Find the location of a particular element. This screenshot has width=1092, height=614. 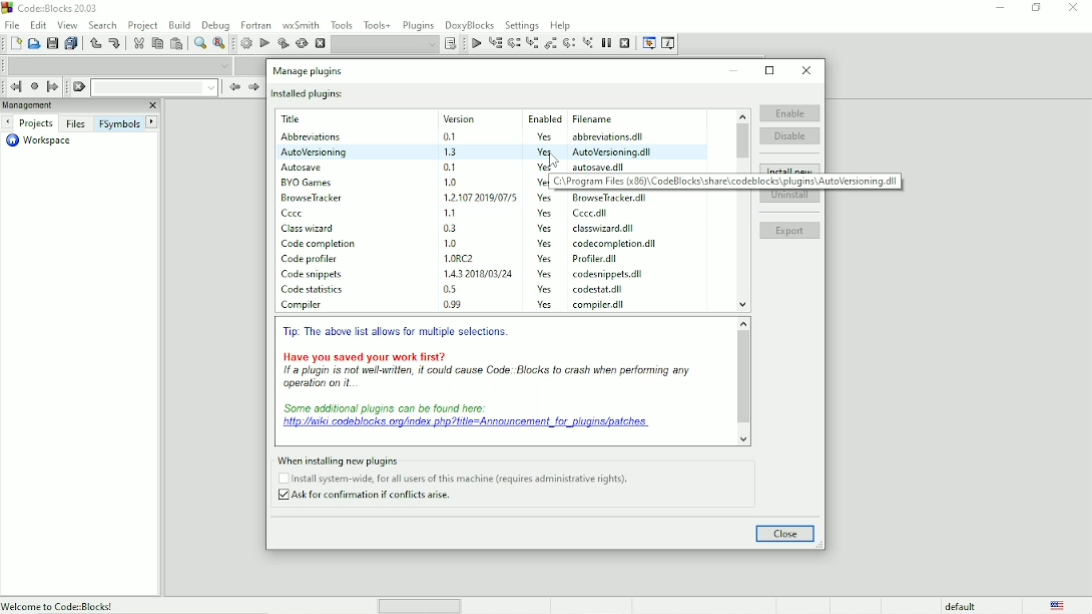

Various info is located at coordinates (669, 43).